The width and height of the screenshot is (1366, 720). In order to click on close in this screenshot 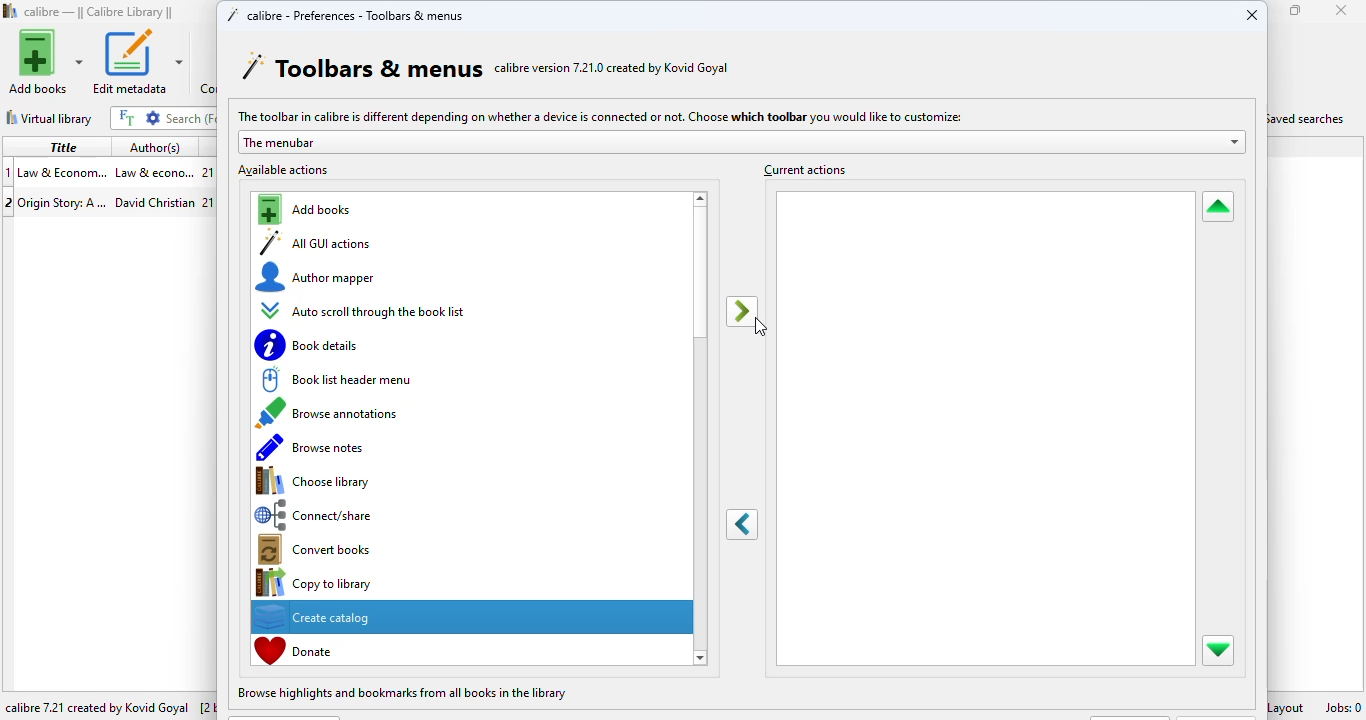, I will do `click(1252, 14)`.